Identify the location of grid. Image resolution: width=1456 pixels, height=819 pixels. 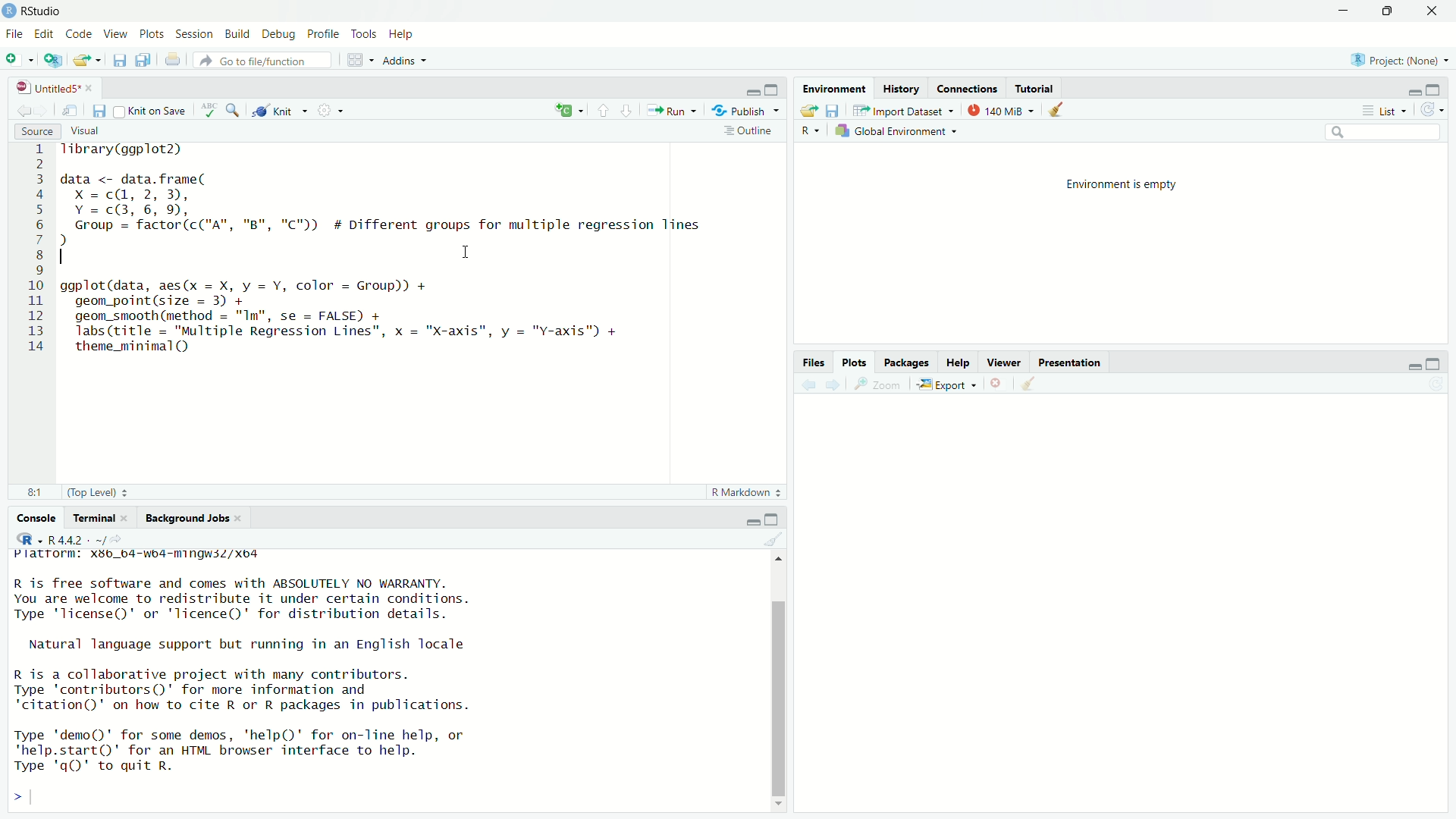
(357, 61).